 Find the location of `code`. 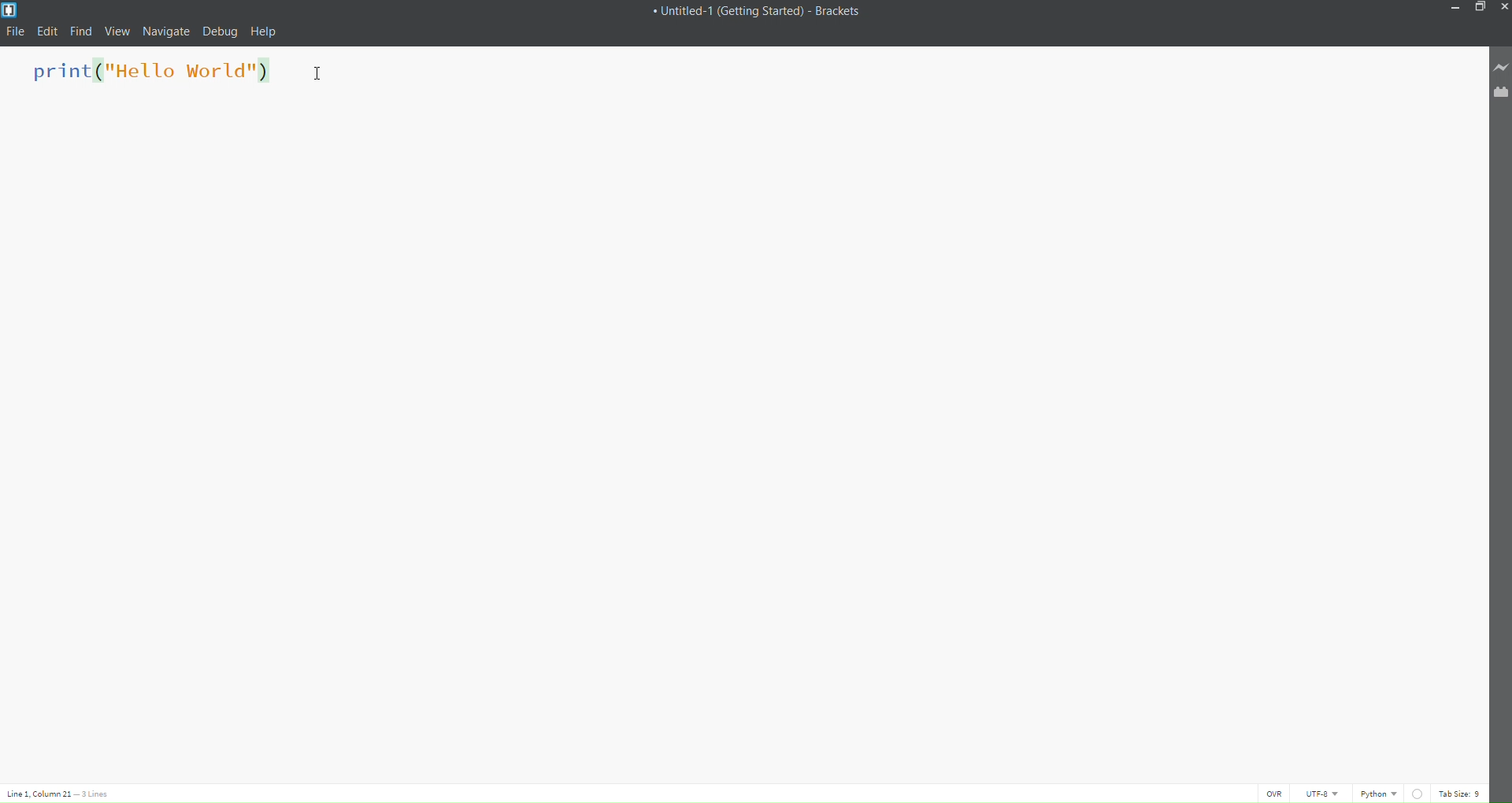

code is located at coordinates (155, 74).